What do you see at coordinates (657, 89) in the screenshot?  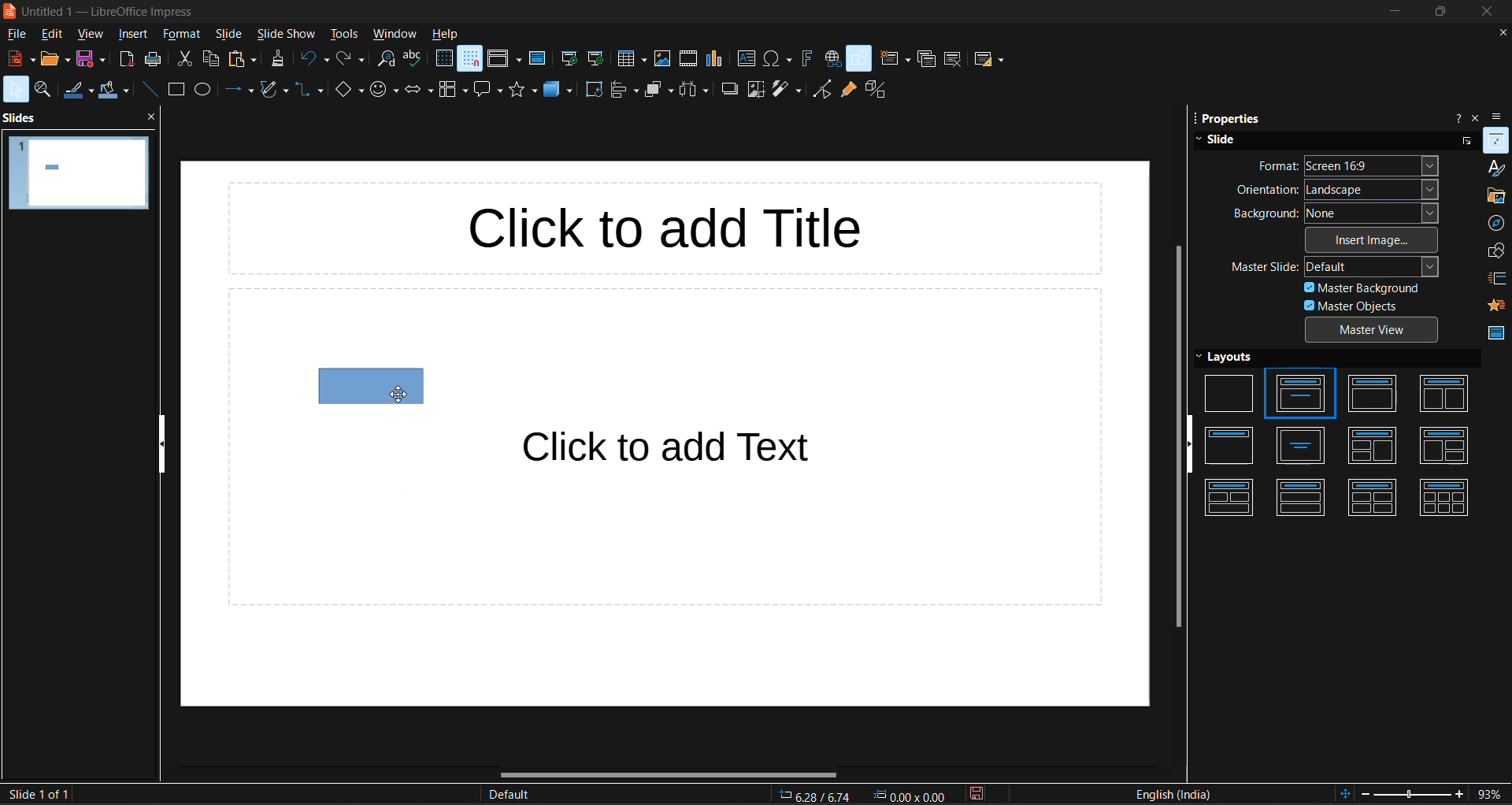 I see `arrange` at bounding box center [657, 89].